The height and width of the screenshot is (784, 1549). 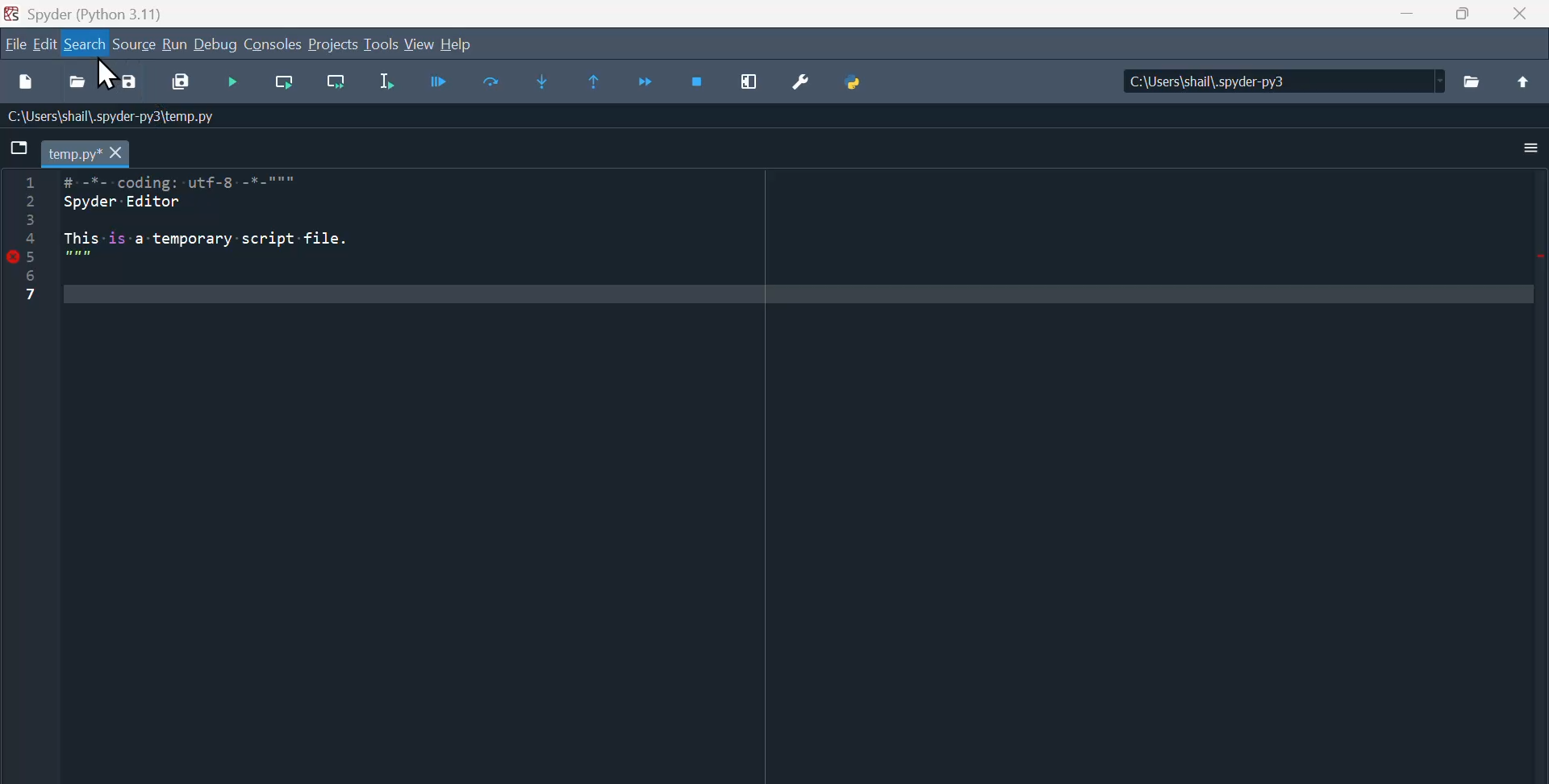 I want to click on Maximise current window, so click(x=744, y=85).